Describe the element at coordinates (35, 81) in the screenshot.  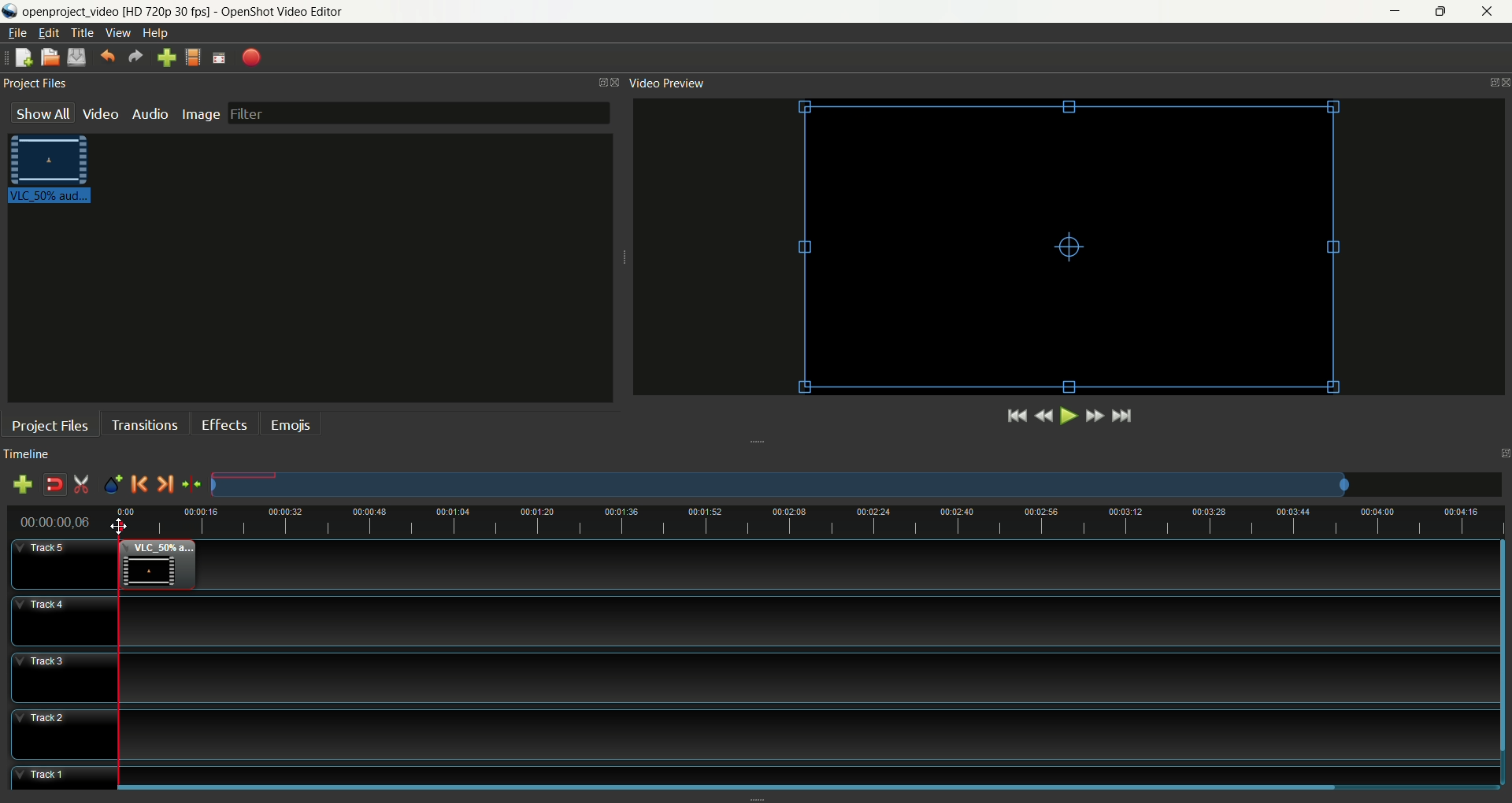
I see `project files` at that location.